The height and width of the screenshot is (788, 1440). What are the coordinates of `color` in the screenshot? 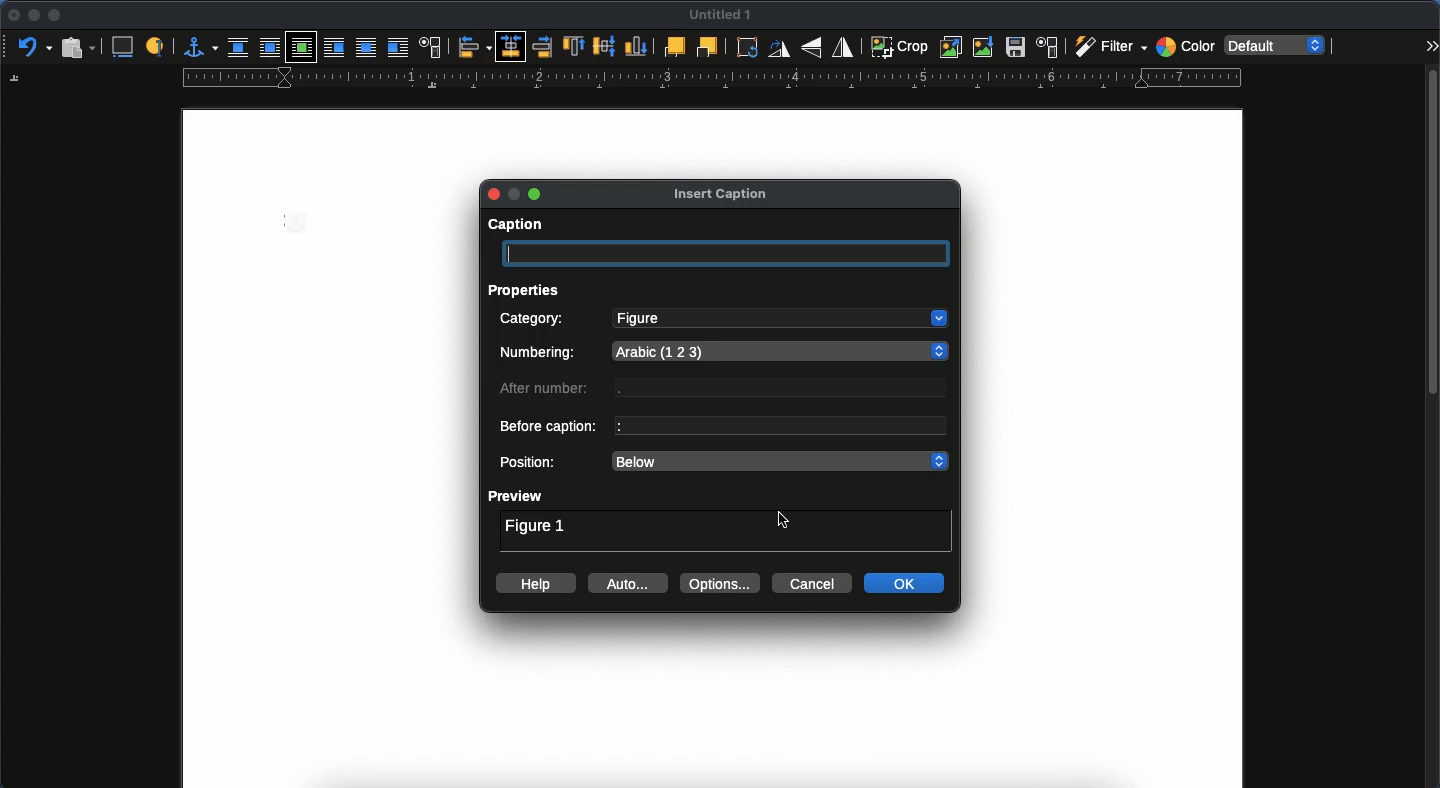 It's located at (1184, 45).